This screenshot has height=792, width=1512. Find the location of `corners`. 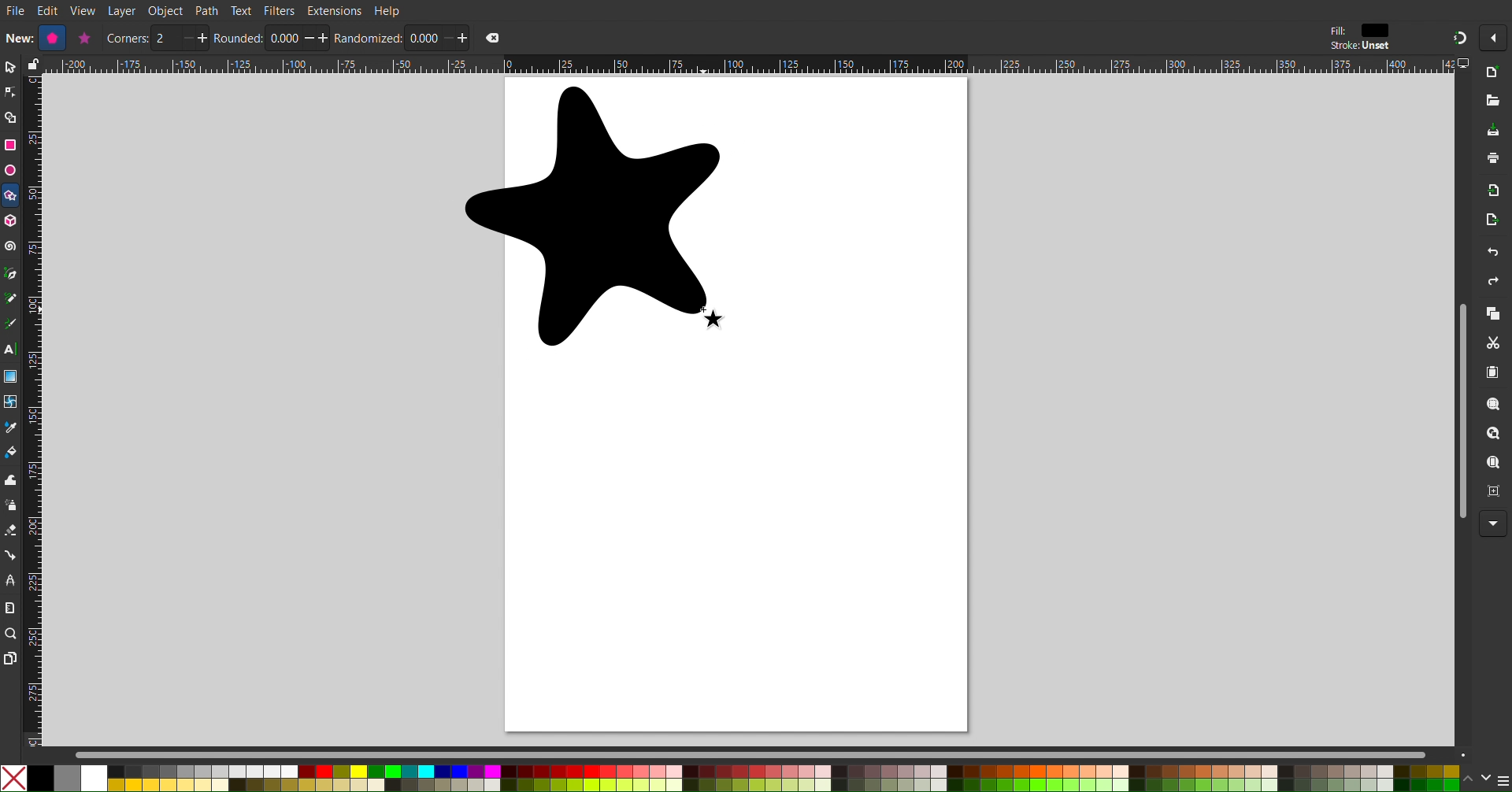

corners is located at coordinates (127, 39).